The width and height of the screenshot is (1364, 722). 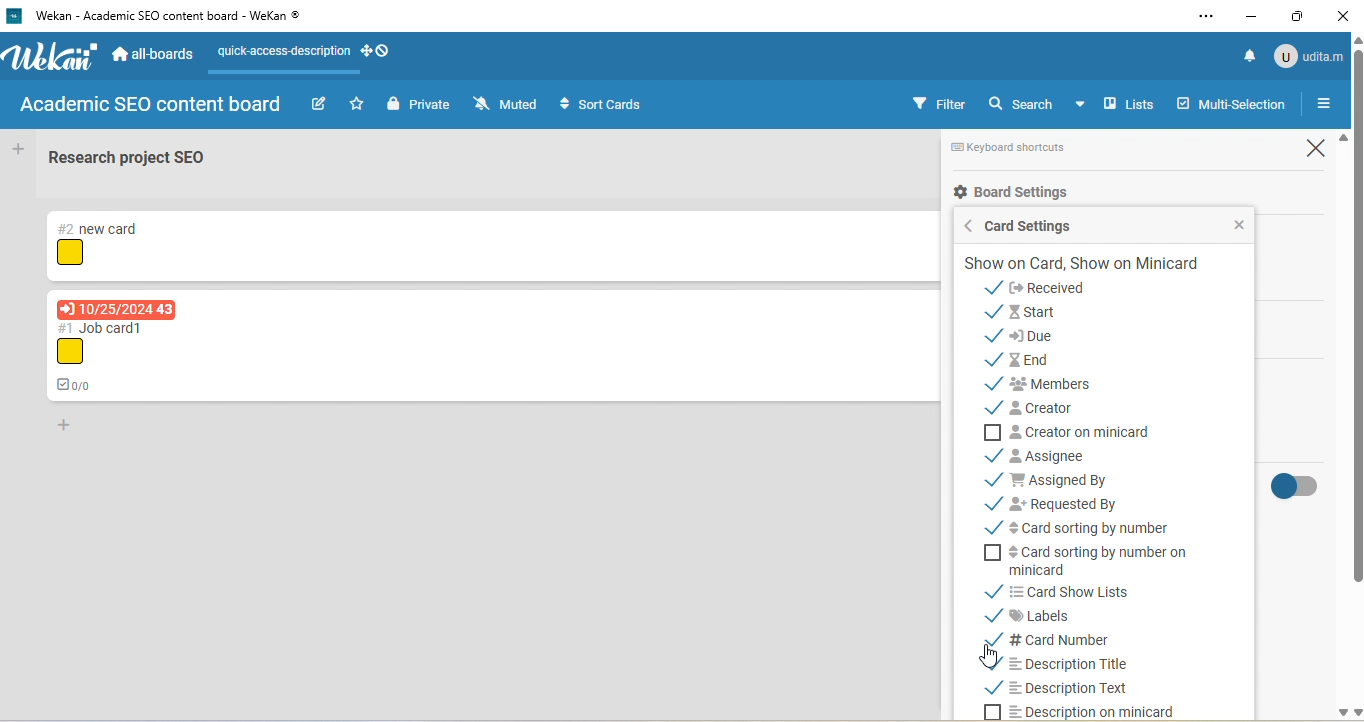 I want to click on lists, so click(x=1130, y=103).